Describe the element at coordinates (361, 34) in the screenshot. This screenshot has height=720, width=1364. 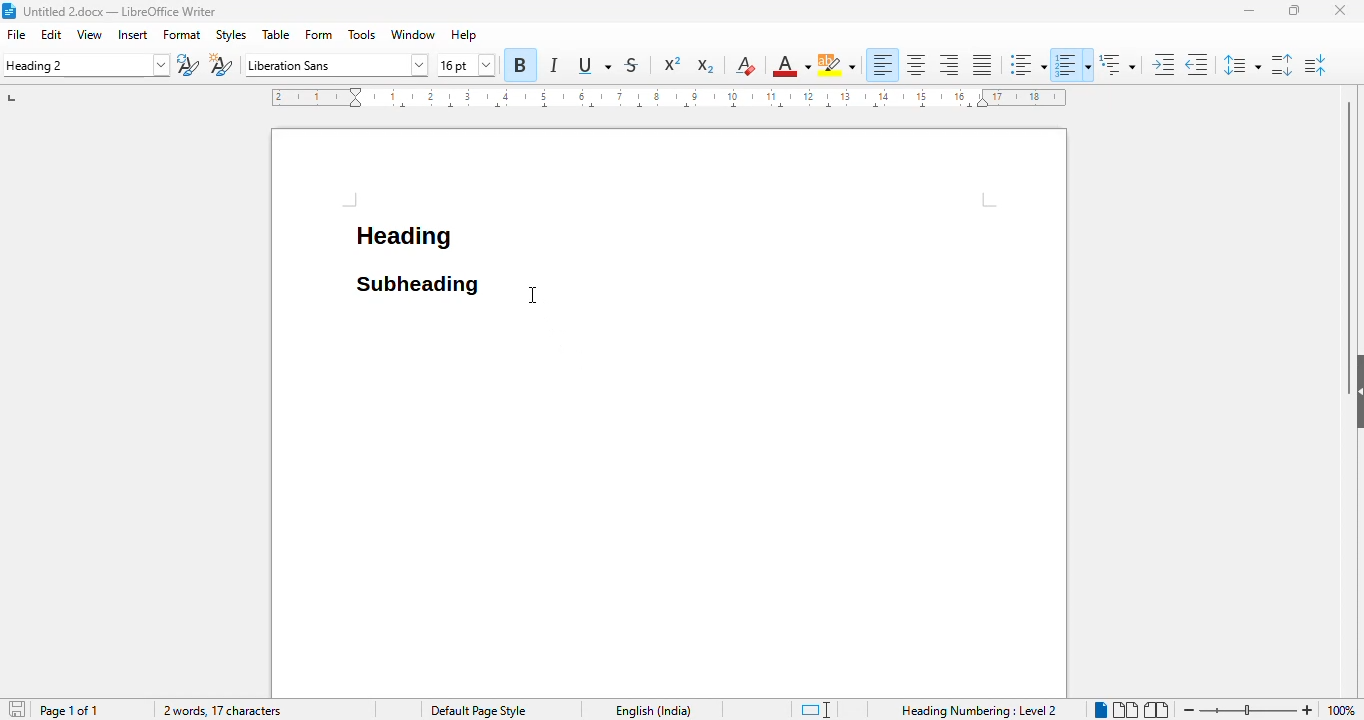
I see `tools` at that location.